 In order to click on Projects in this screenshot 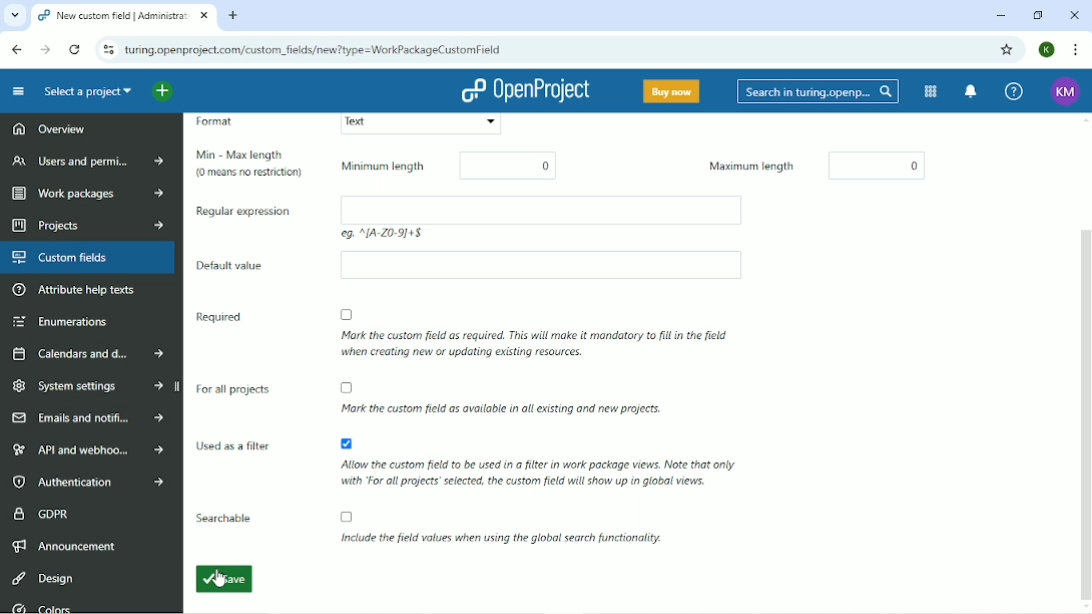, I will do `click(85, 225)`.